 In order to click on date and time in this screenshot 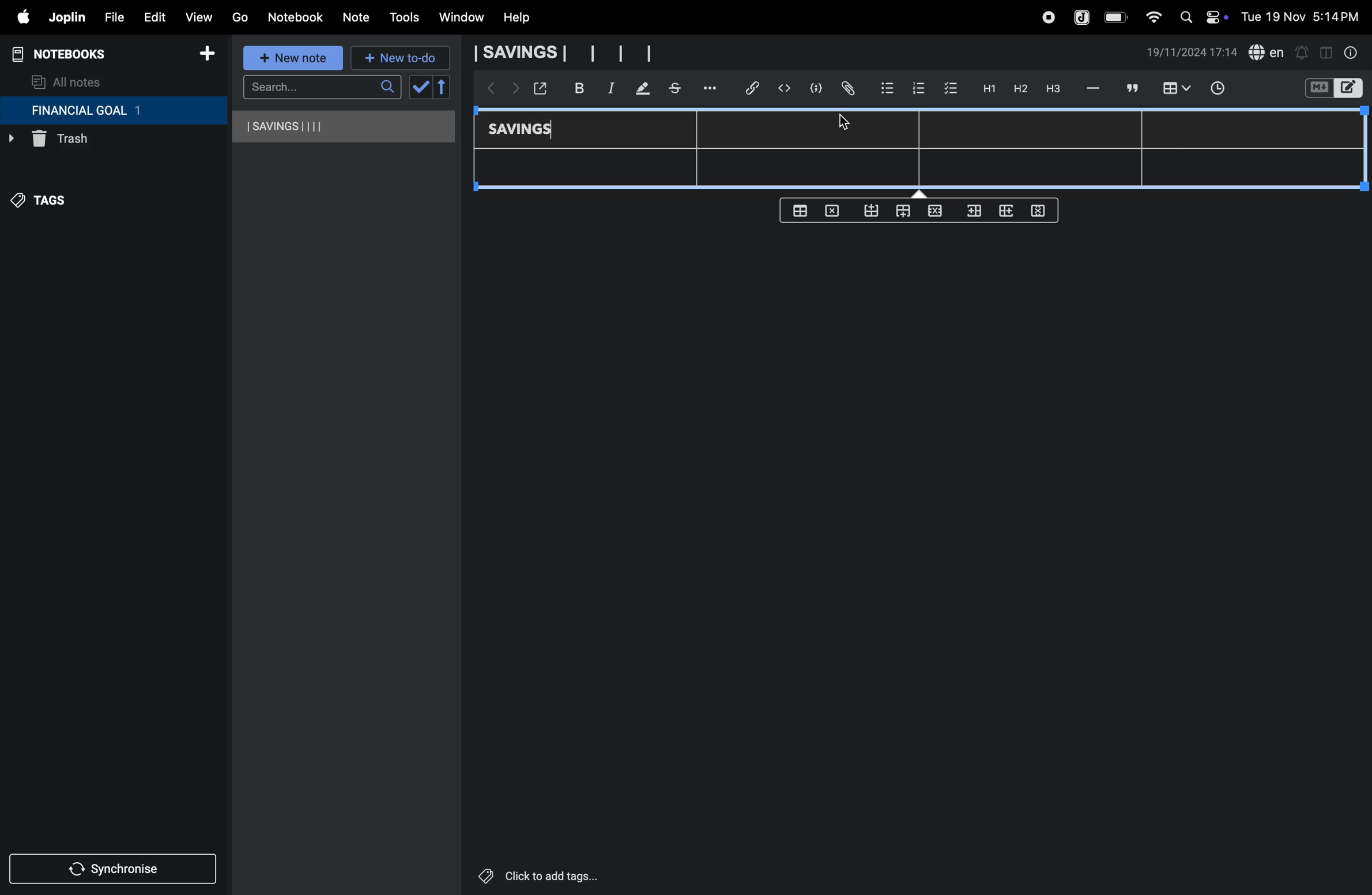, I will do `click(1192, 52)`.